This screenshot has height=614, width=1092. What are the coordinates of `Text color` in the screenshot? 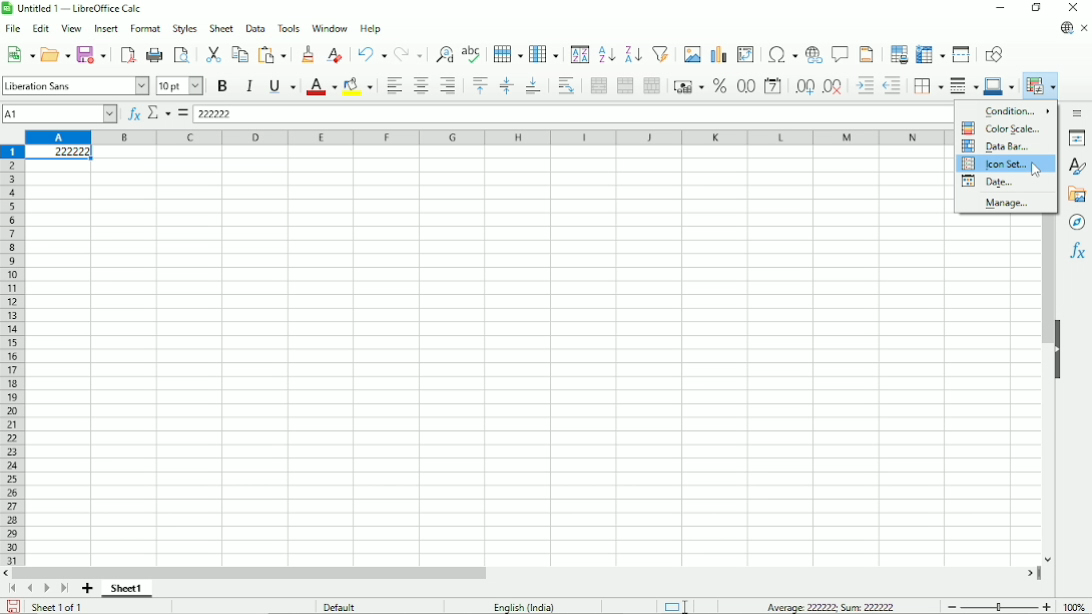 It's located at (321, 86).